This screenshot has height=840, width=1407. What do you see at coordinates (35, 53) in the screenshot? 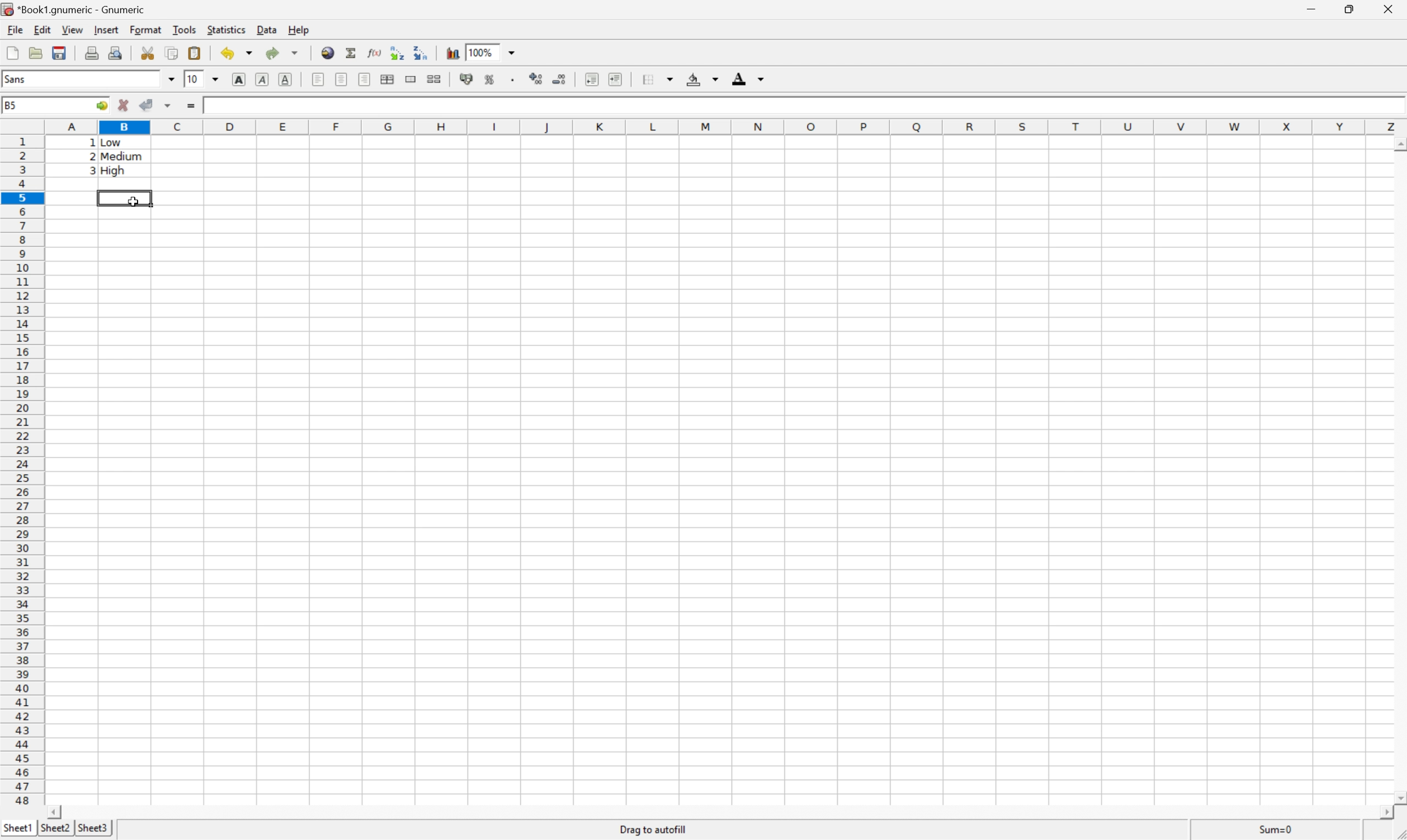
I see `Open a file` at bounding box center [35, 53].